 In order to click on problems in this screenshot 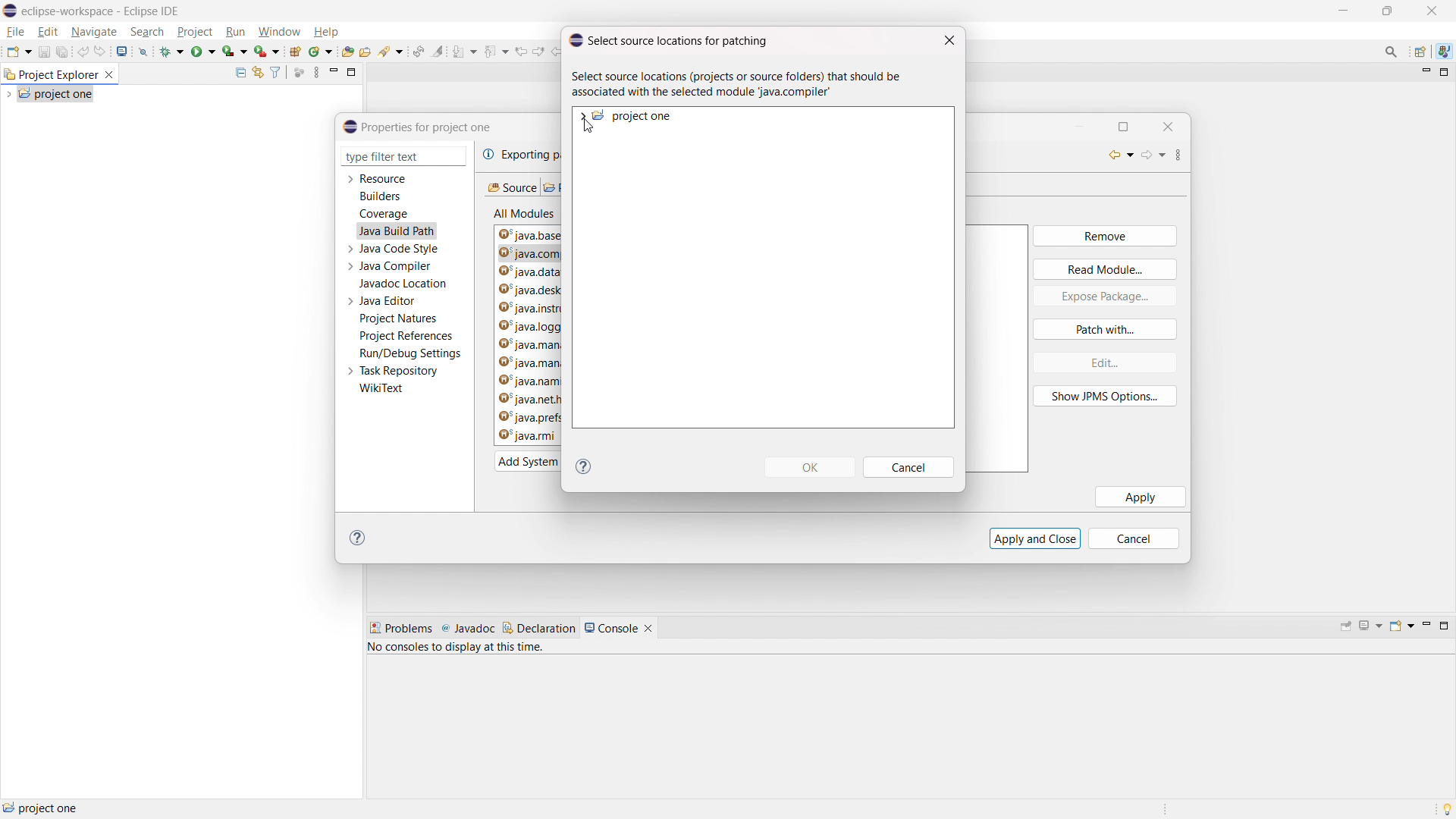, I will do `click(400, 629)`.